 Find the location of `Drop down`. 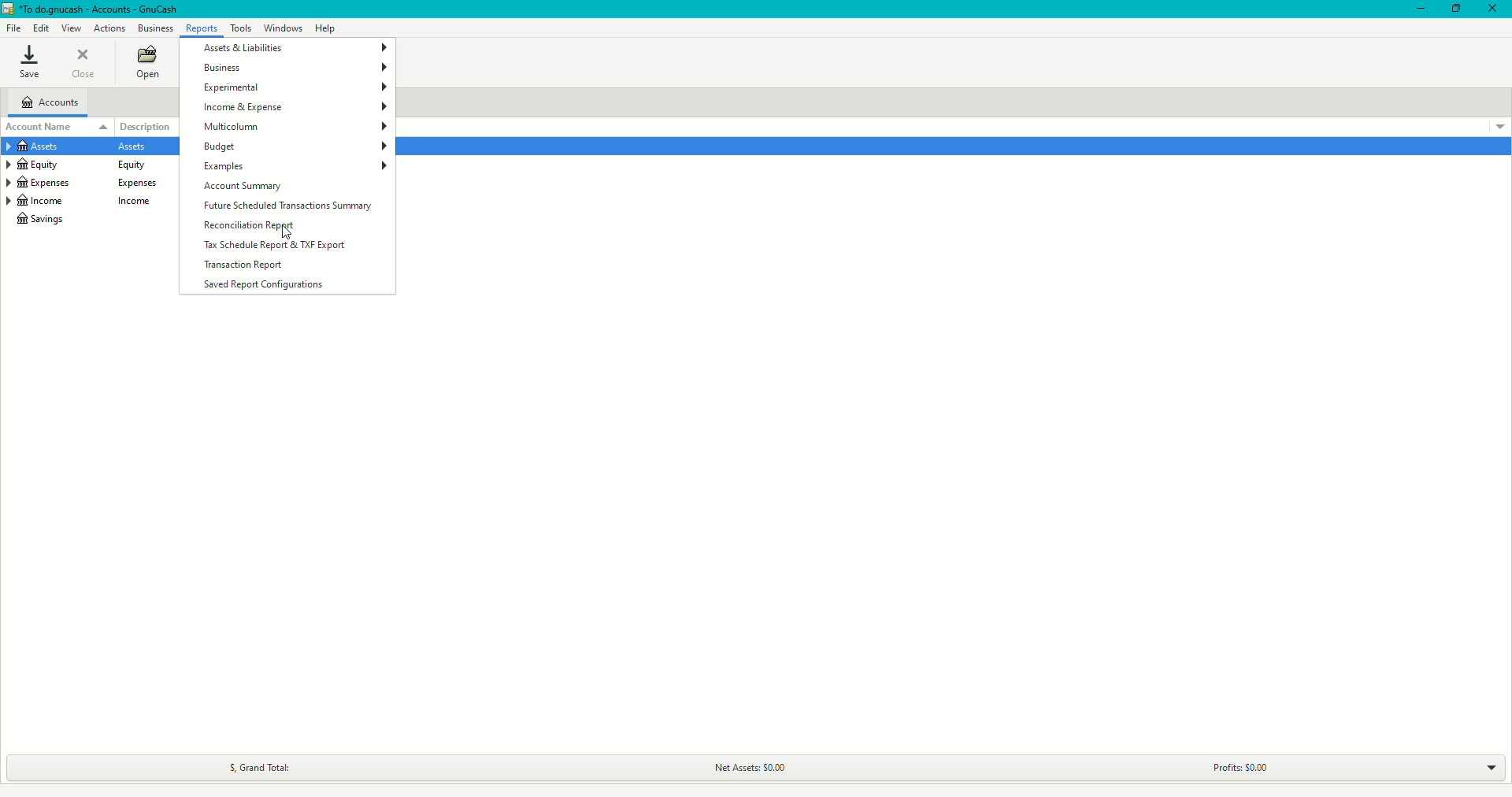

Drop down is located at coordinates (1493, 772).